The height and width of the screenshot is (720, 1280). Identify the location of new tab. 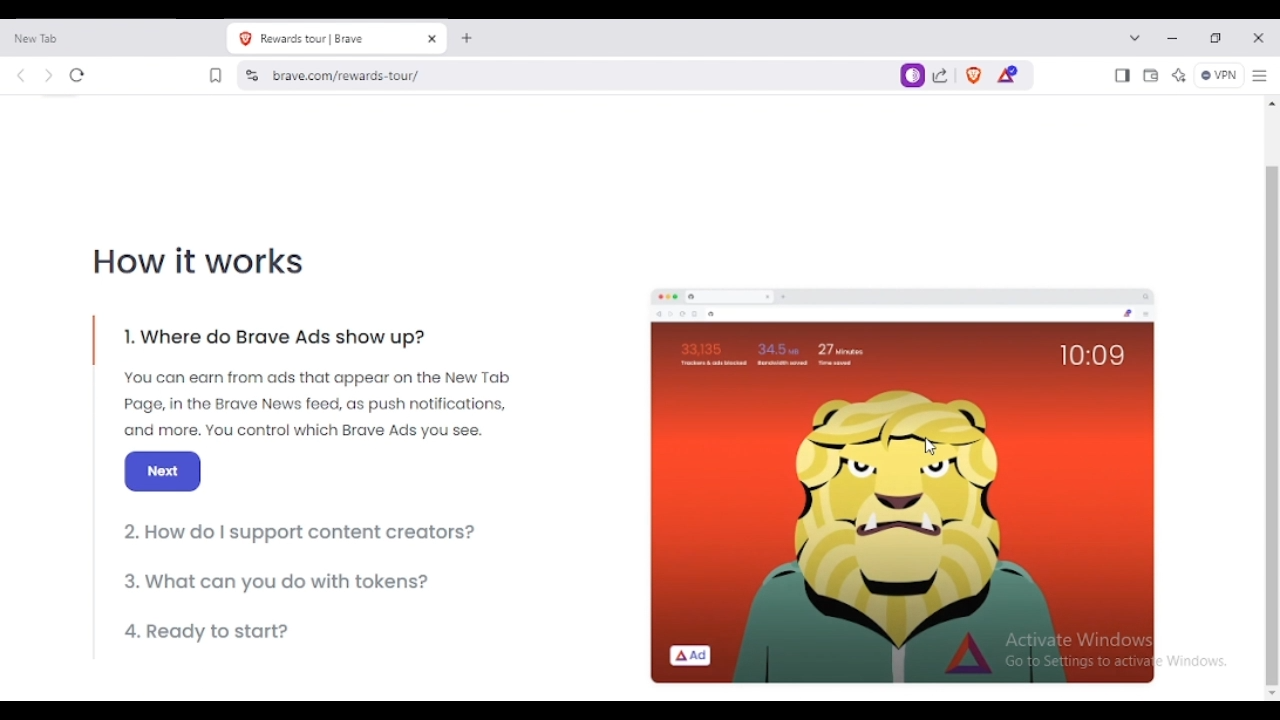
(94, 39).